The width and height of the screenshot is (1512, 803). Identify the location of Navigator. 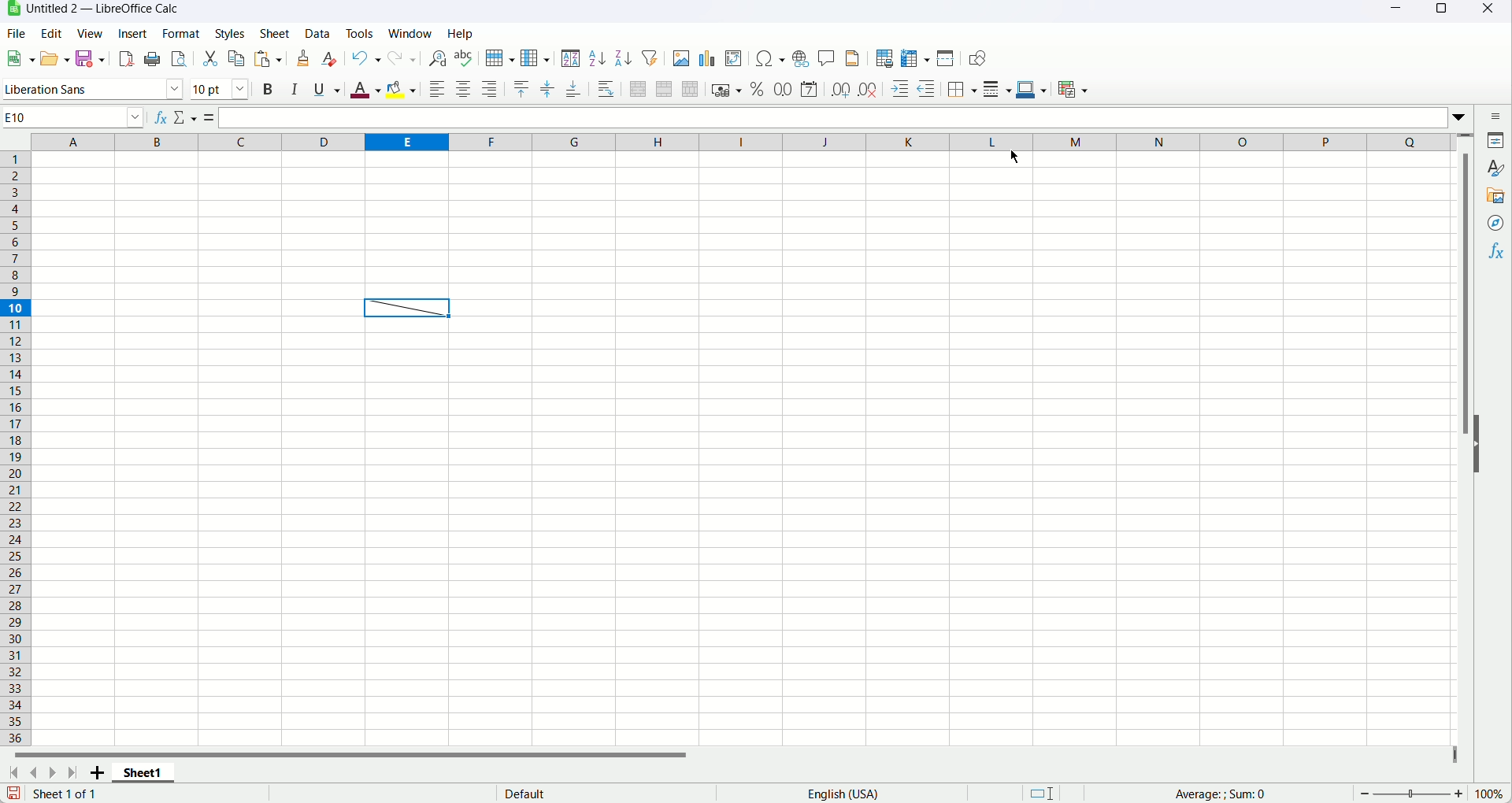
(1496, 223).